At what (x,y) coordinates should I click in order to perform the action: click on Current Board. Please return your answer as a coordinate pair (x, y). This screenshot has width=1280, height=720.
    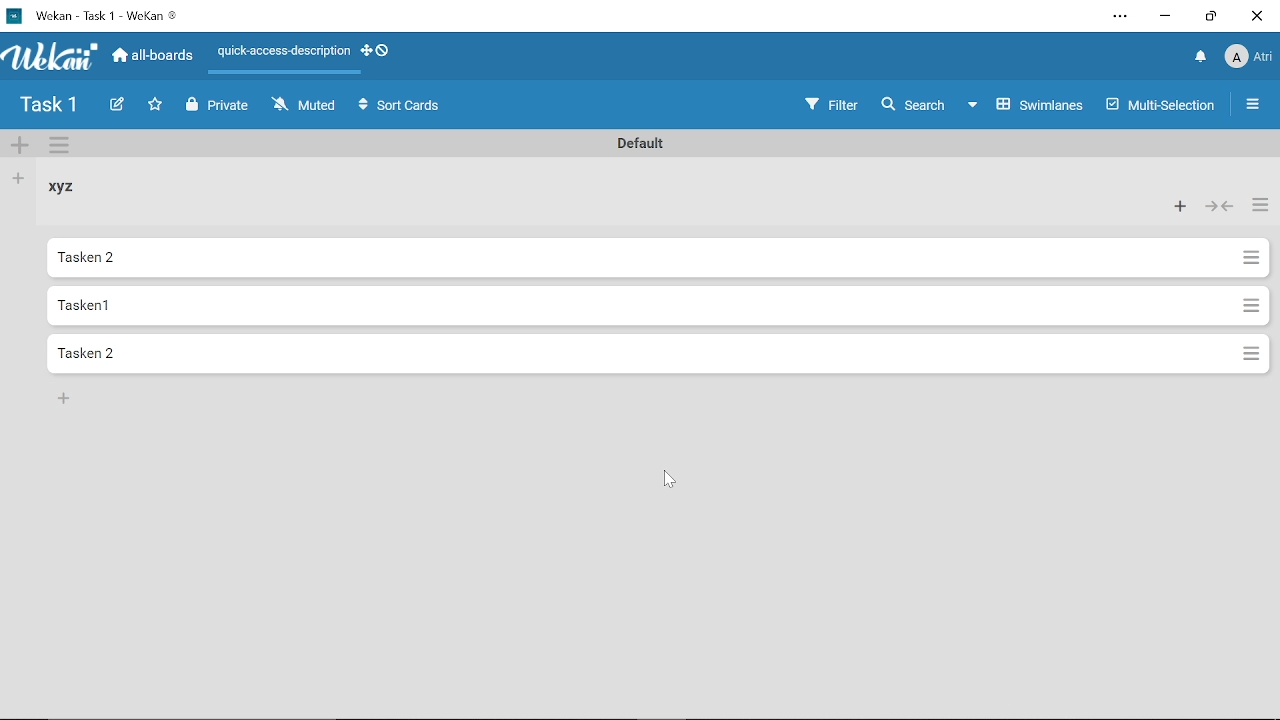
    Looking at the image, I should click on (50, 107).